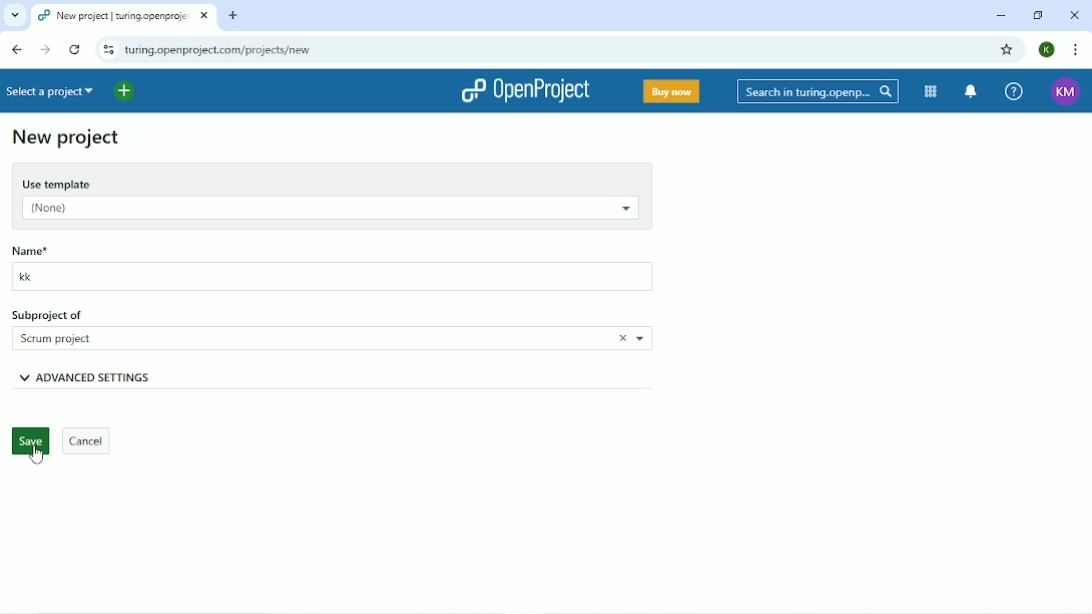 Image resolution: width=1092 pixels, height=614 pixels. What do you see at coordinates (111, 15) in the screenshot?
I see `projects | turing.openproject.com` at bounding box center [111, 15].